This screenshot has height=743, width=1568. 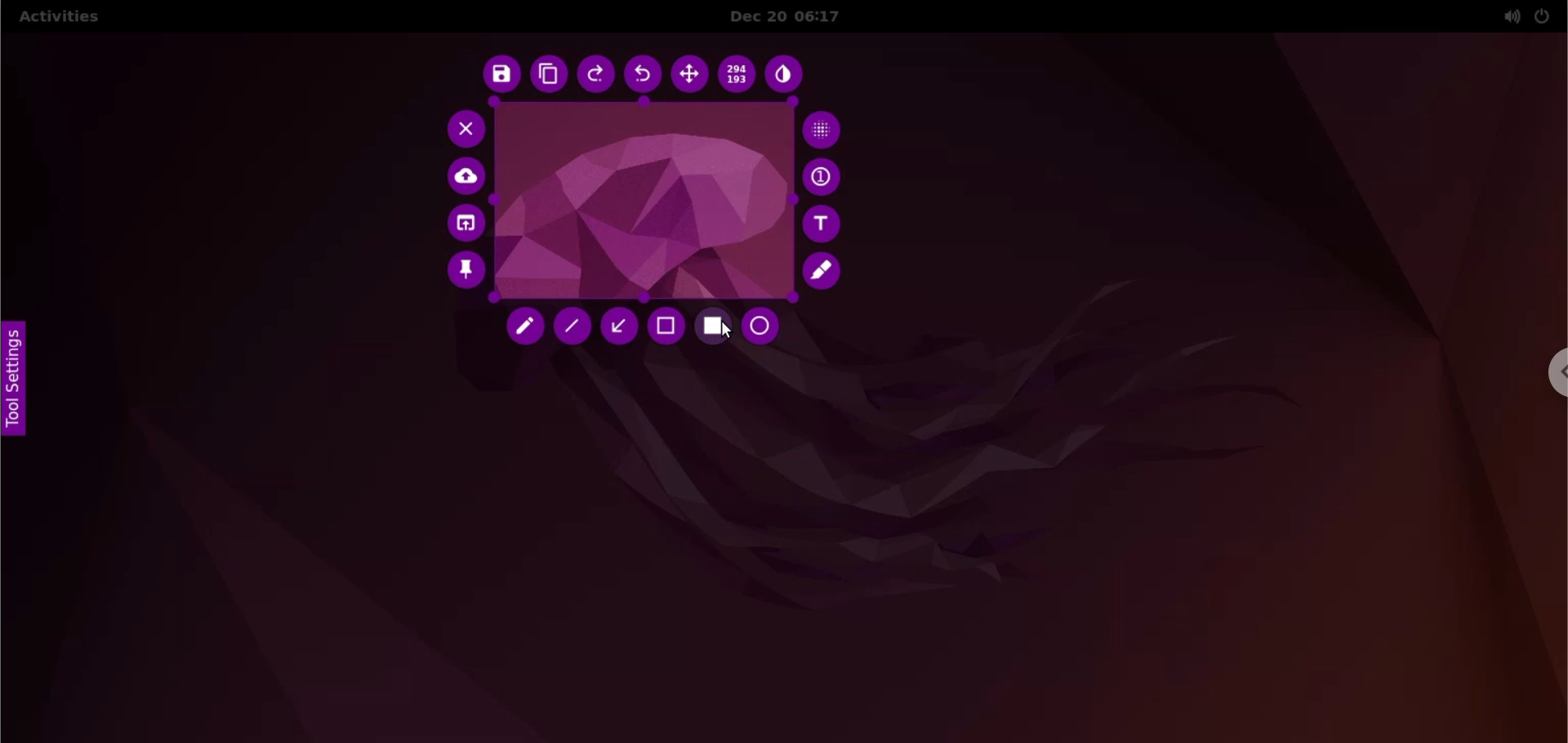 I want to click on power options, so click(x=1543, y=16).